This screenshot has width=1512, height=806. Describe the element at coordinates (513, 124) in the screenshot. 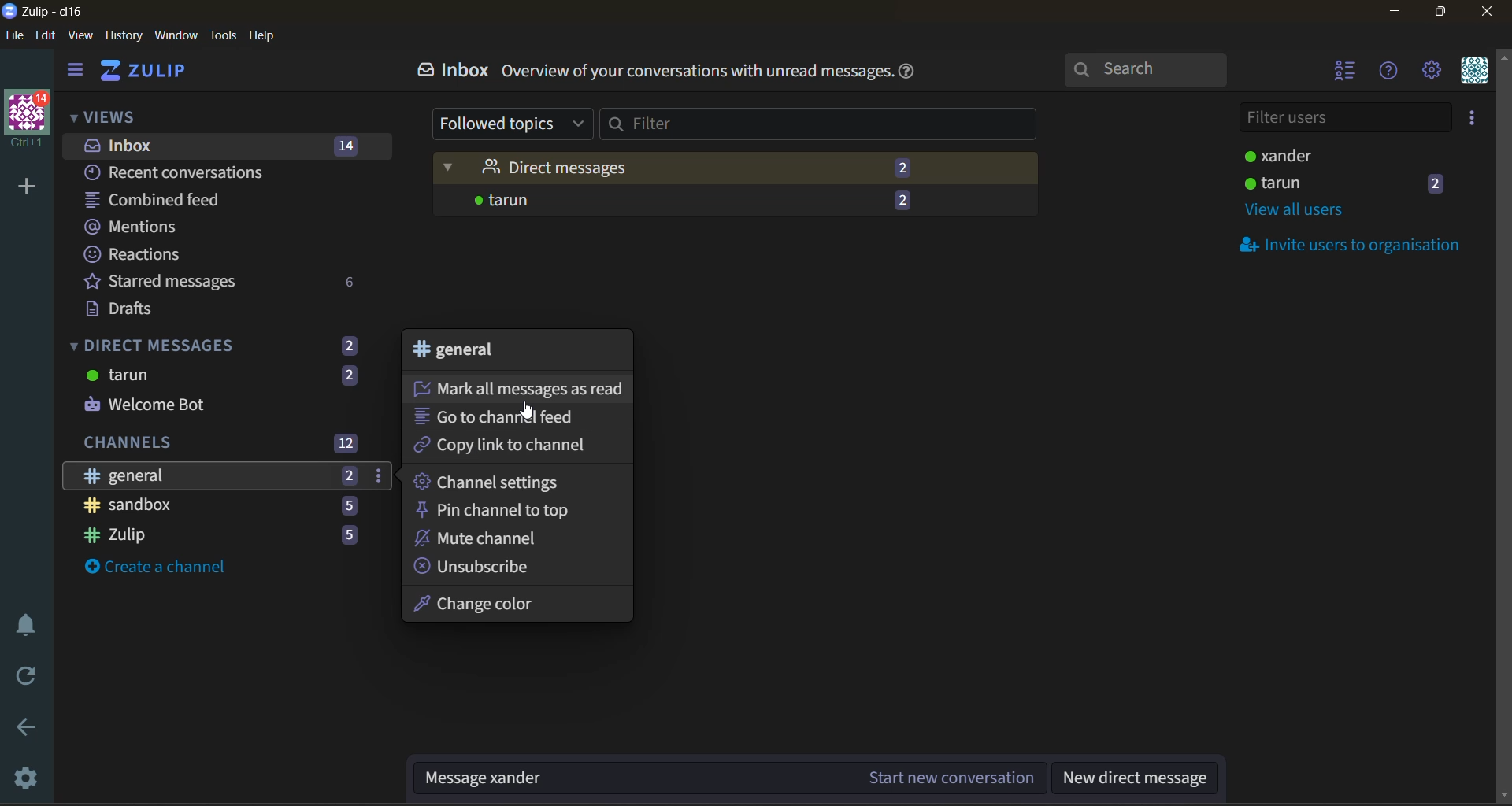

I see `followed topics` at that location.